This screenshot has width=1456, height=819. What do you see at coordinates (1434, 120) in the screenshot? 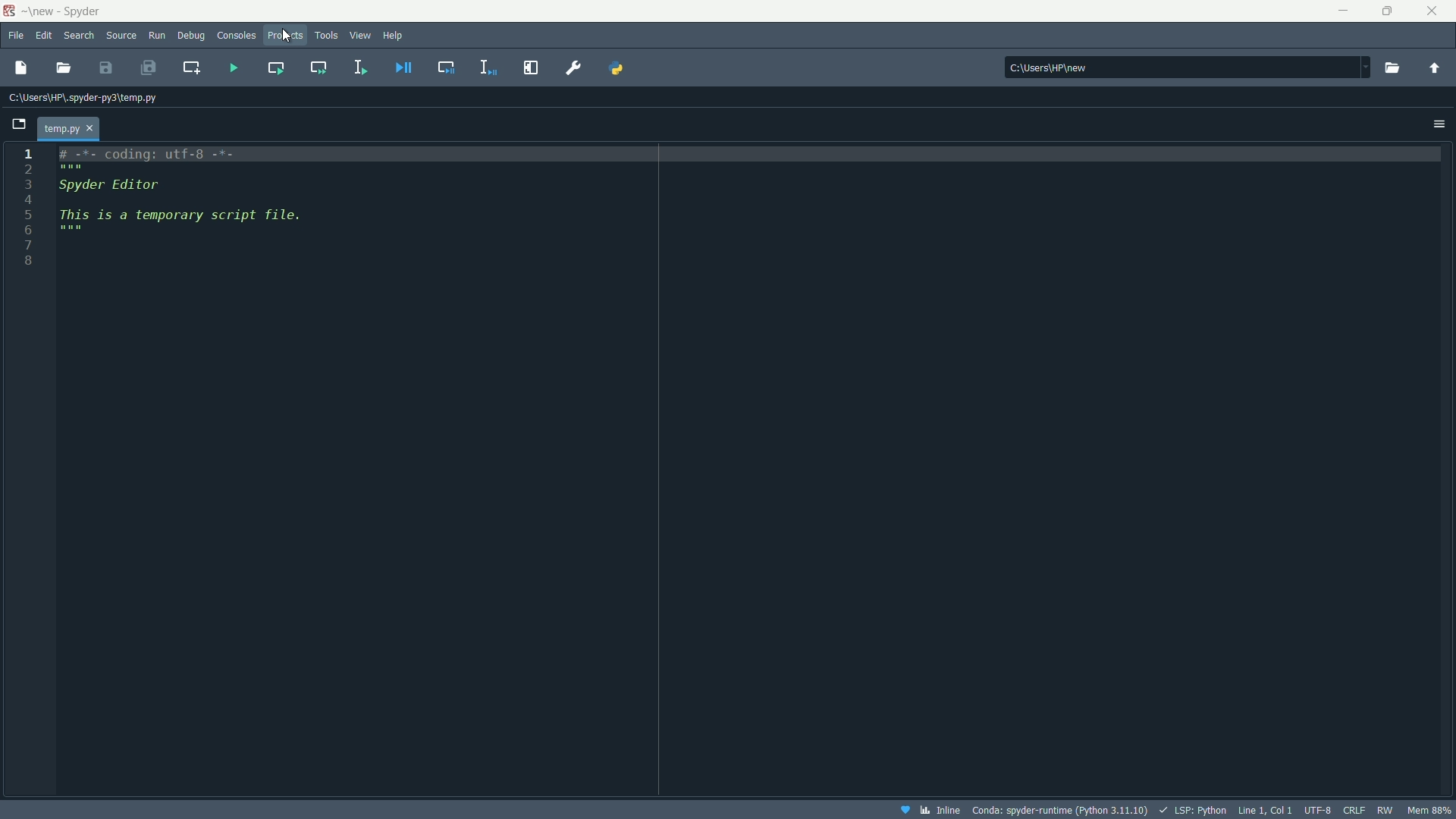
I see `Options` at bounding box center [1434, 120].